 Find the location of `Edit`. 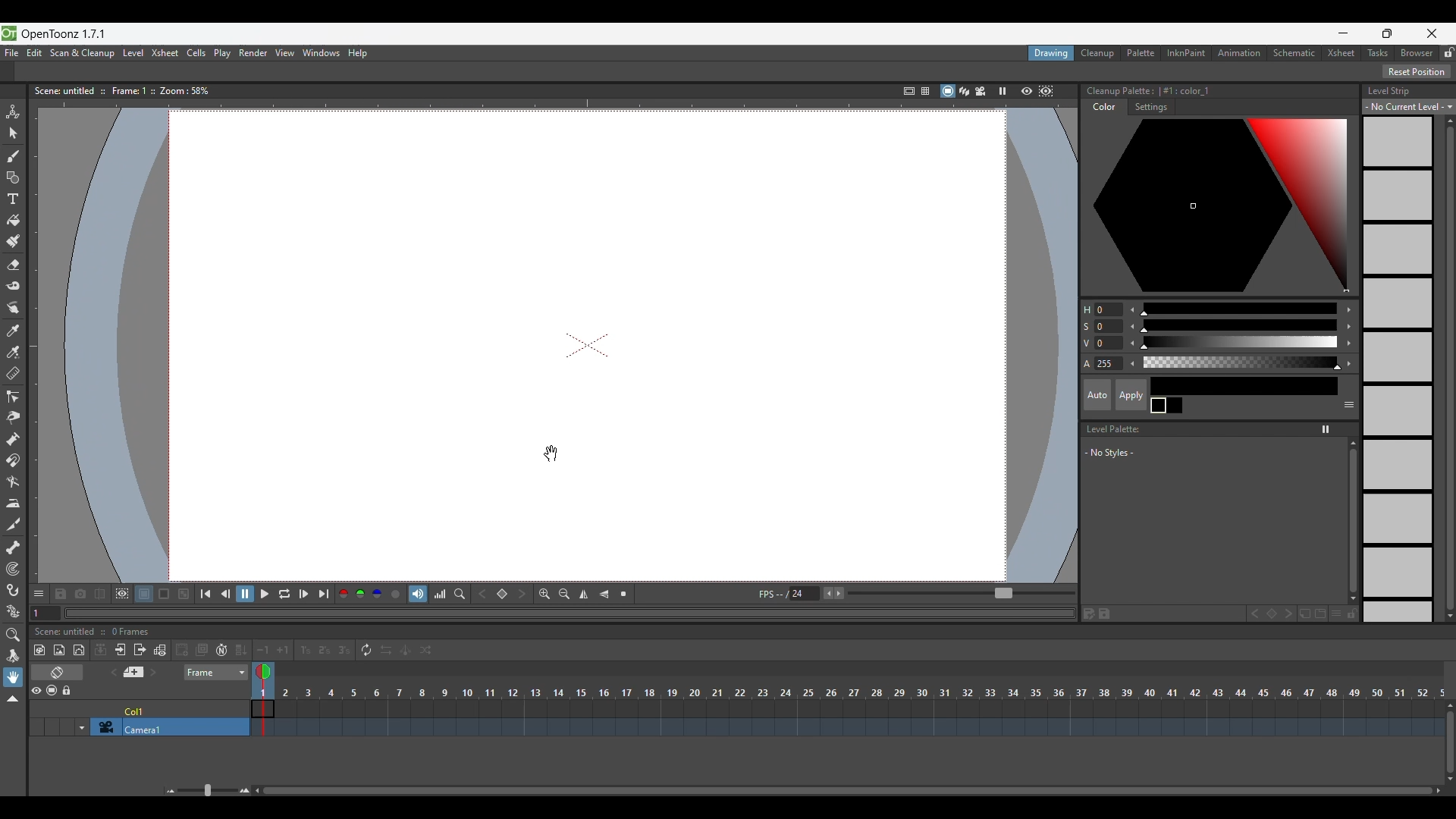

Edit is located at coordinates (34, 53).